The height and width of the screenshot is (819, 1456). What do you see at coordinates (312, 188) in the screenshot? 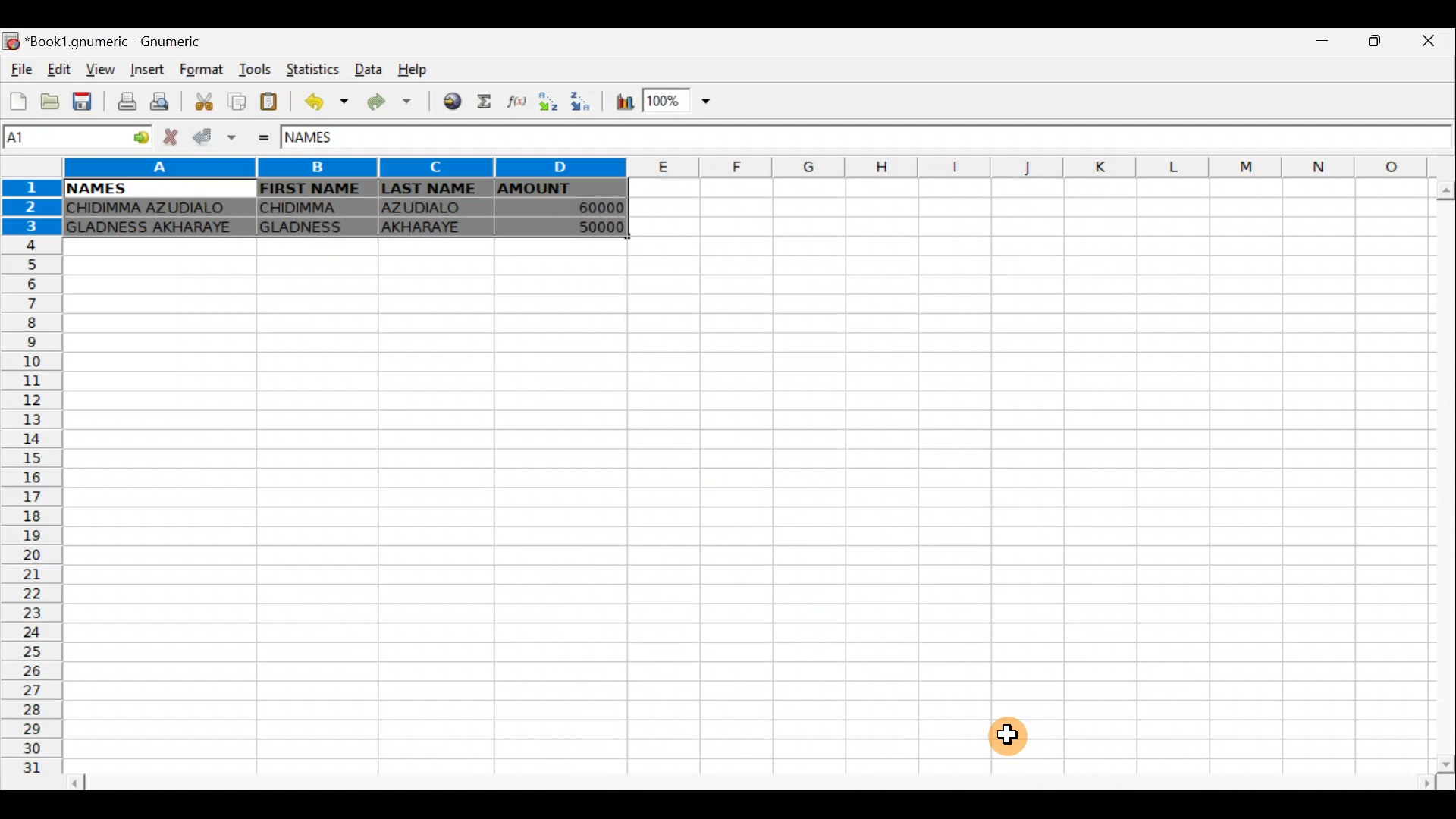
I see `FIRST NAME` at bounding box center [312, 188].